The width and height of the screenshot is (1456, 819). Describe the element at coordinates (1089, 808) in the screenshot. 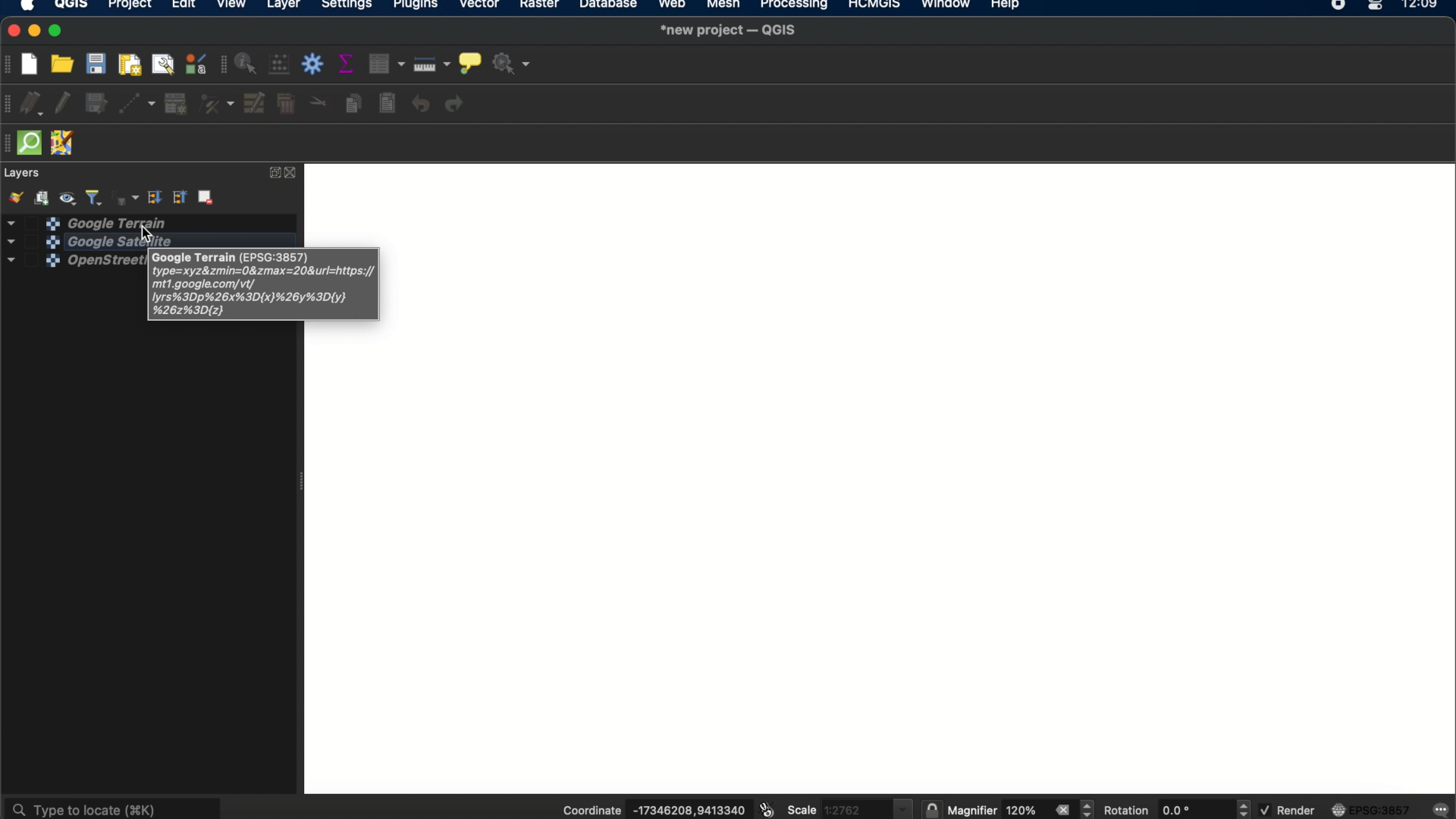

I see `magnifier increment decrement` at that location.